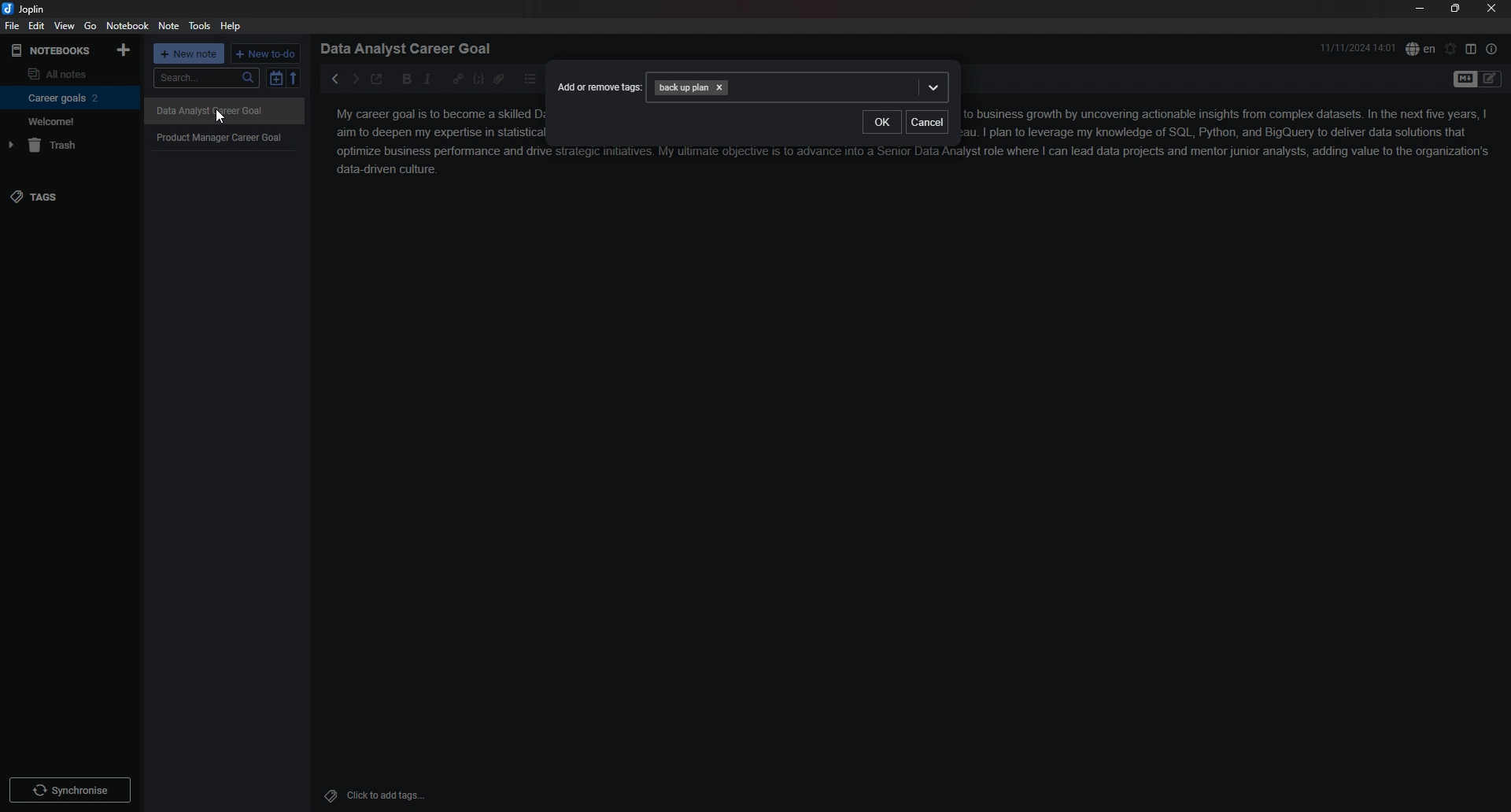  Describe the element at coordinates (71, 789) in the screenshot. I see `Synchronise` at that location.